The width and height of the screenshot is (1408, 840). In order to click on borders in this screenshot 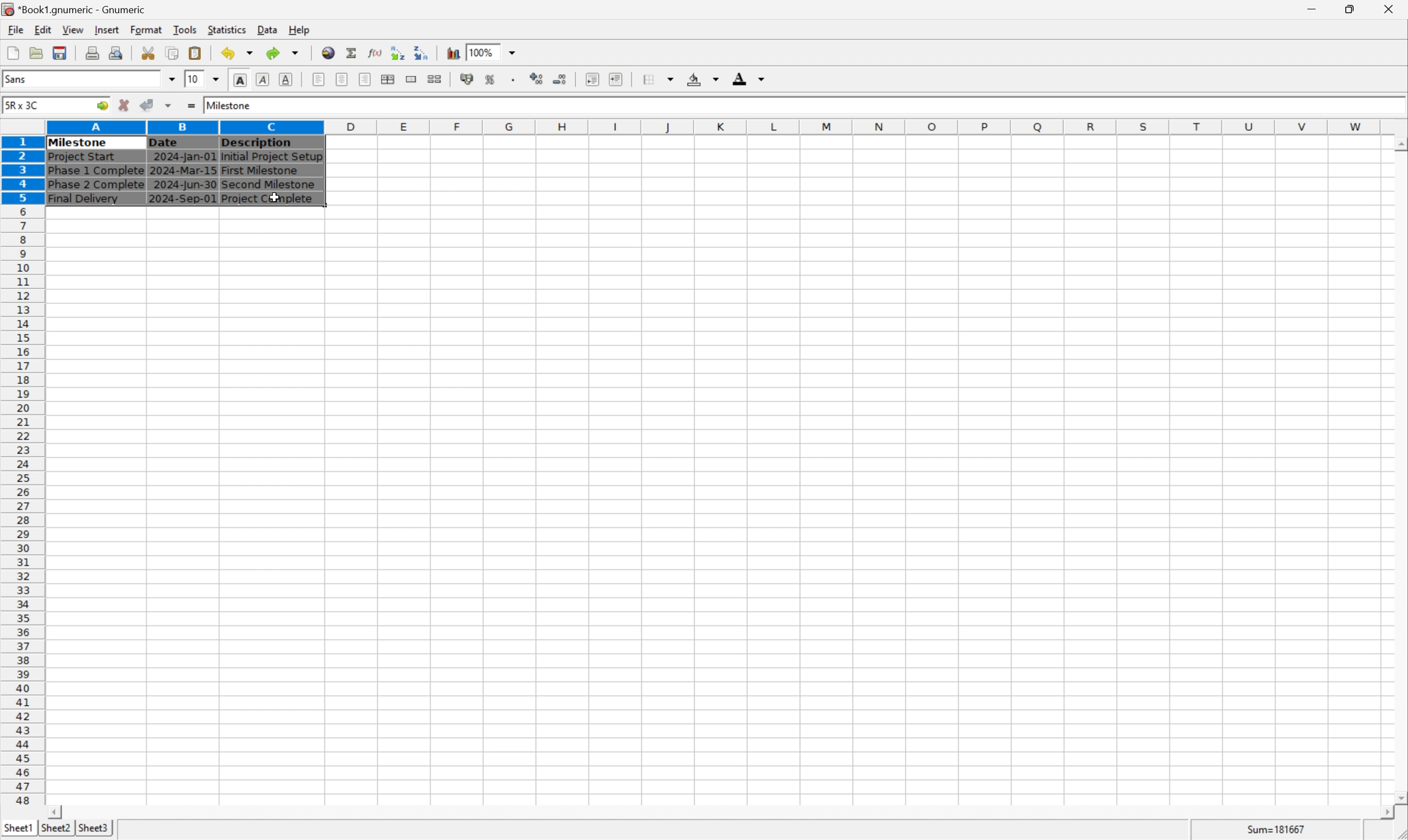, I will do `click(663, 79)`.